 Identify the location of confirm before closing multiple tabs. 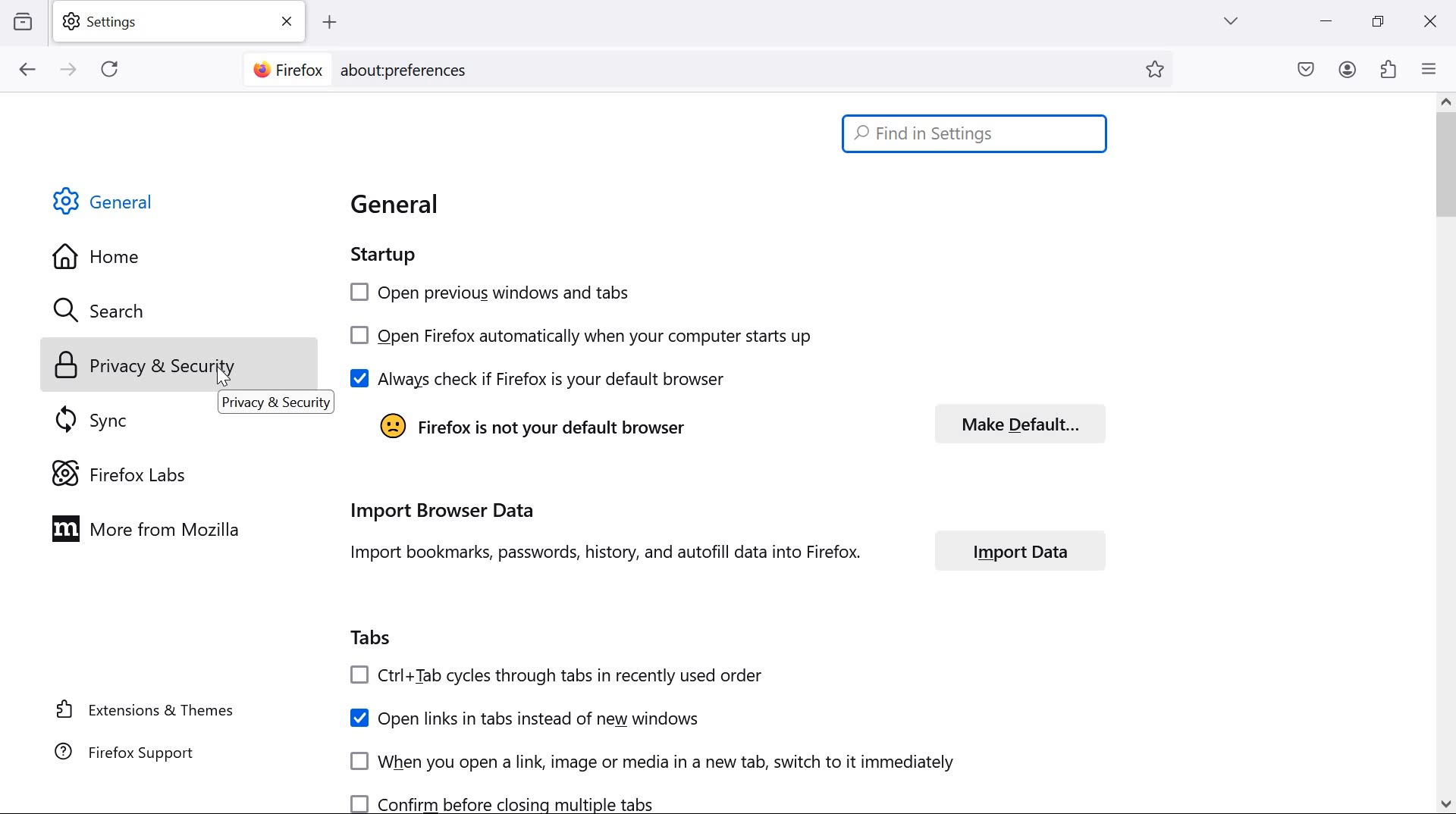
(505, 800).